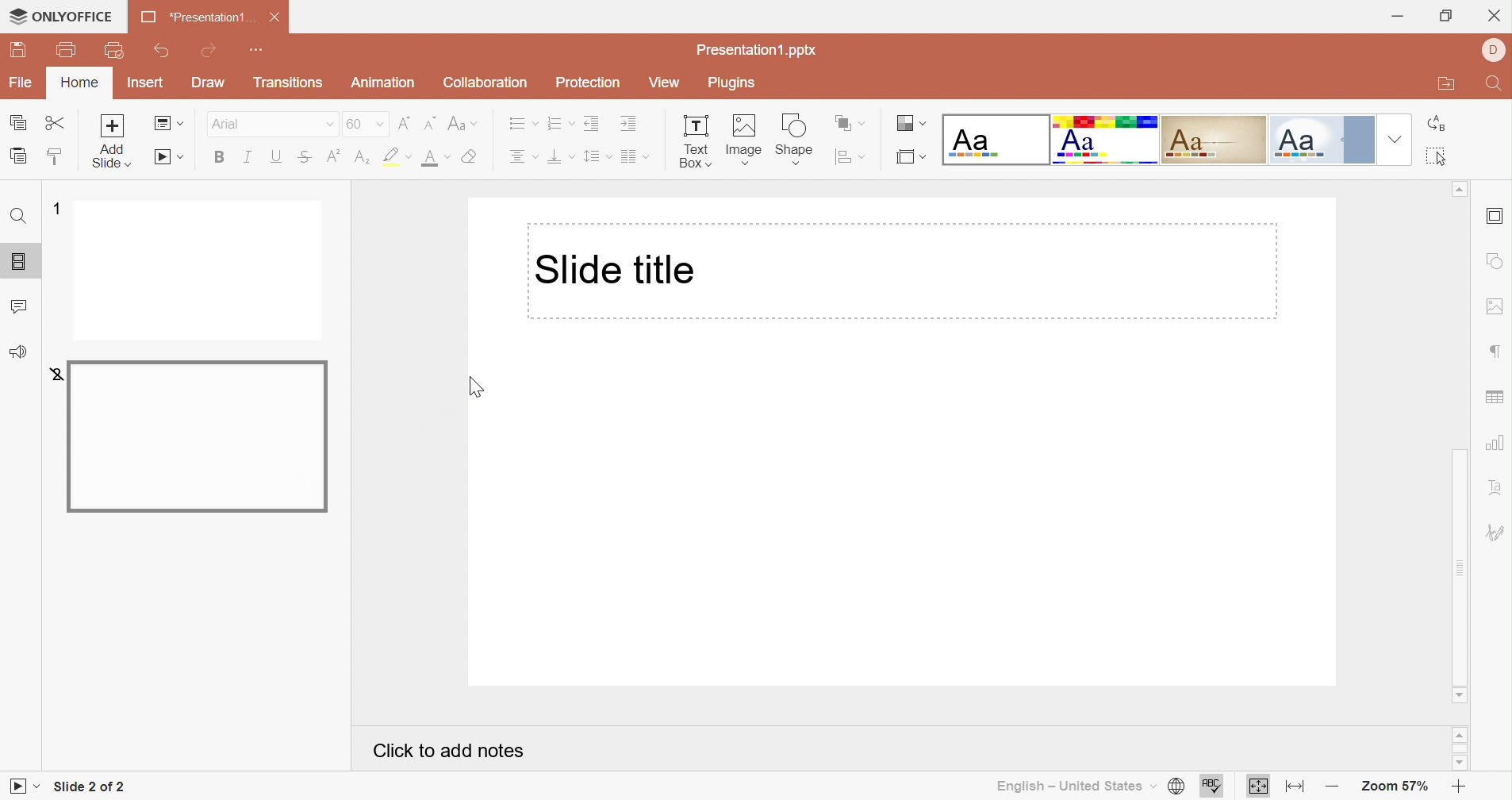 This screenshot has width=1512, height=800. I want to click on Signature settings, so click(1495, 531).